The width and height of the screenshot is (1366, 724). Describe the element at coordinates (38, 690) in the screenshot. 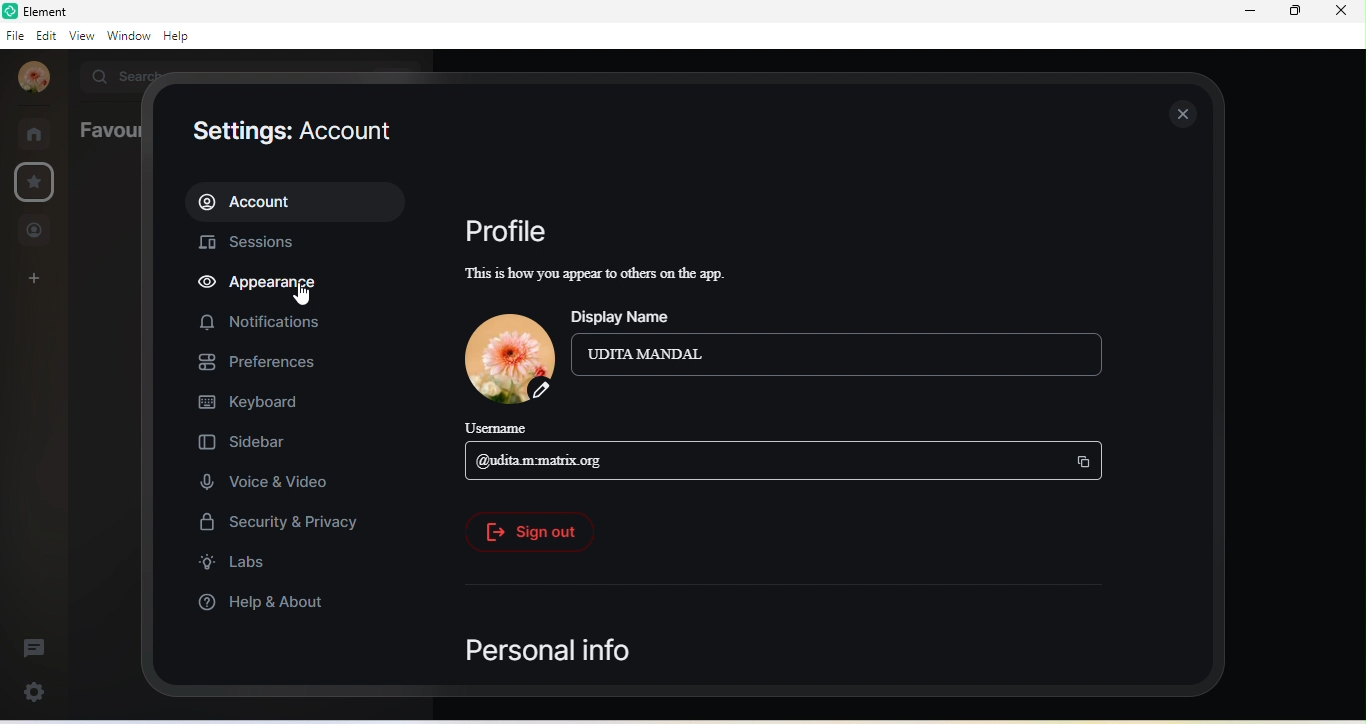

I see `quick settings` at that location.